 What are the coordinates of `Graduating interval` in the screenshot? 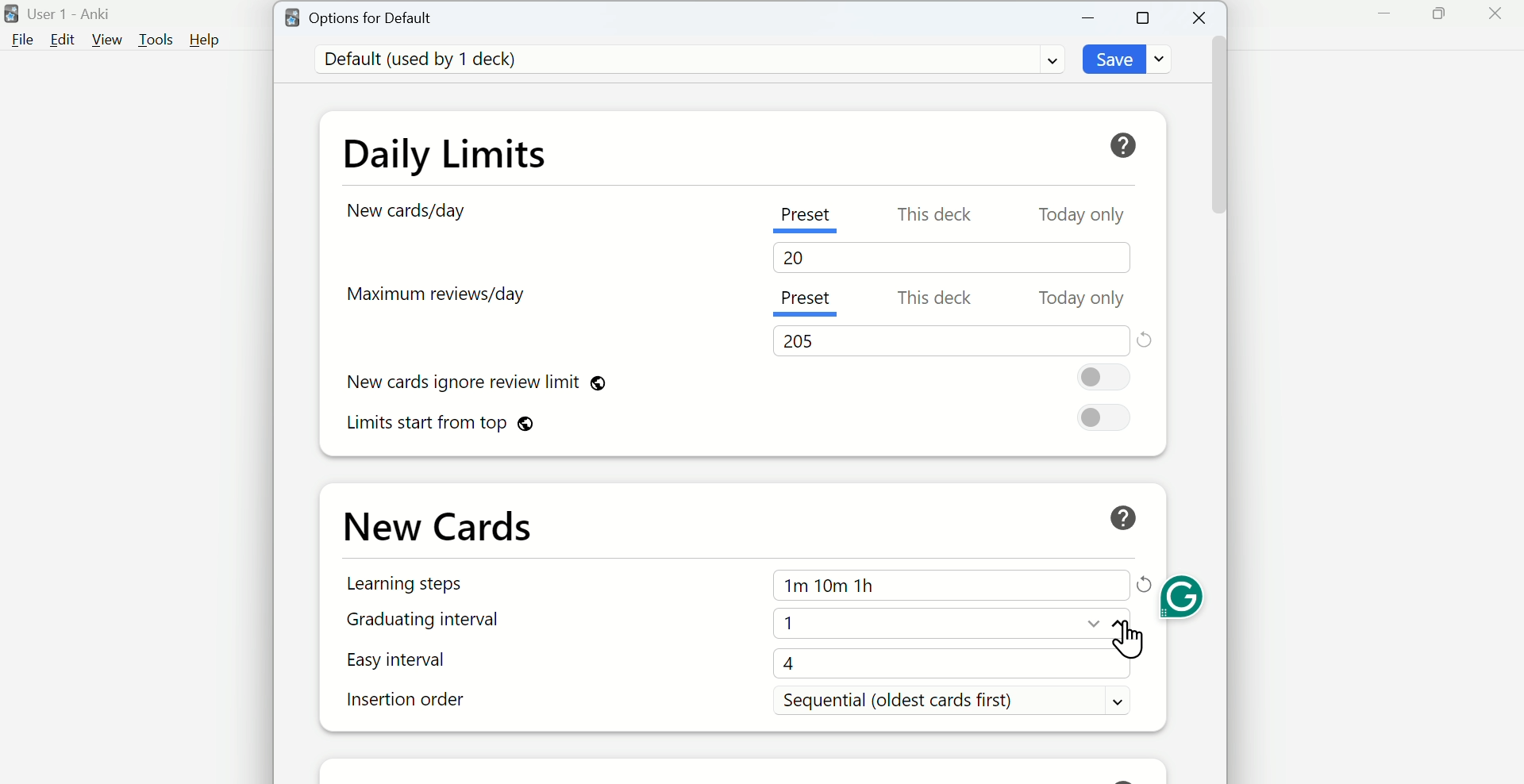 It's located at (421, 621).